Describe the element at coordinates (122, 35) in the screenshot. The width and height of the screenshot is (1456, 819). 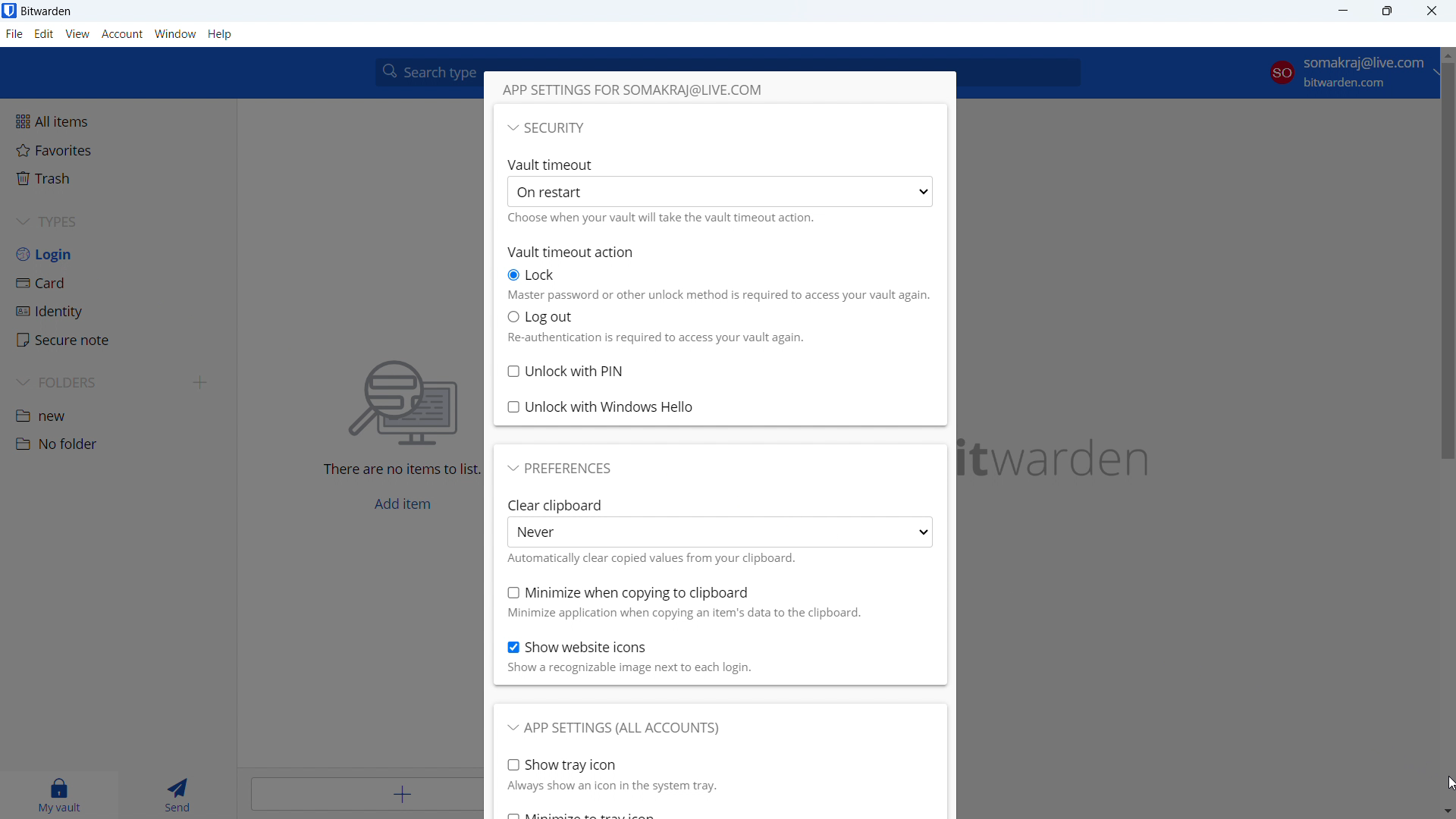
I see `account` at that location.